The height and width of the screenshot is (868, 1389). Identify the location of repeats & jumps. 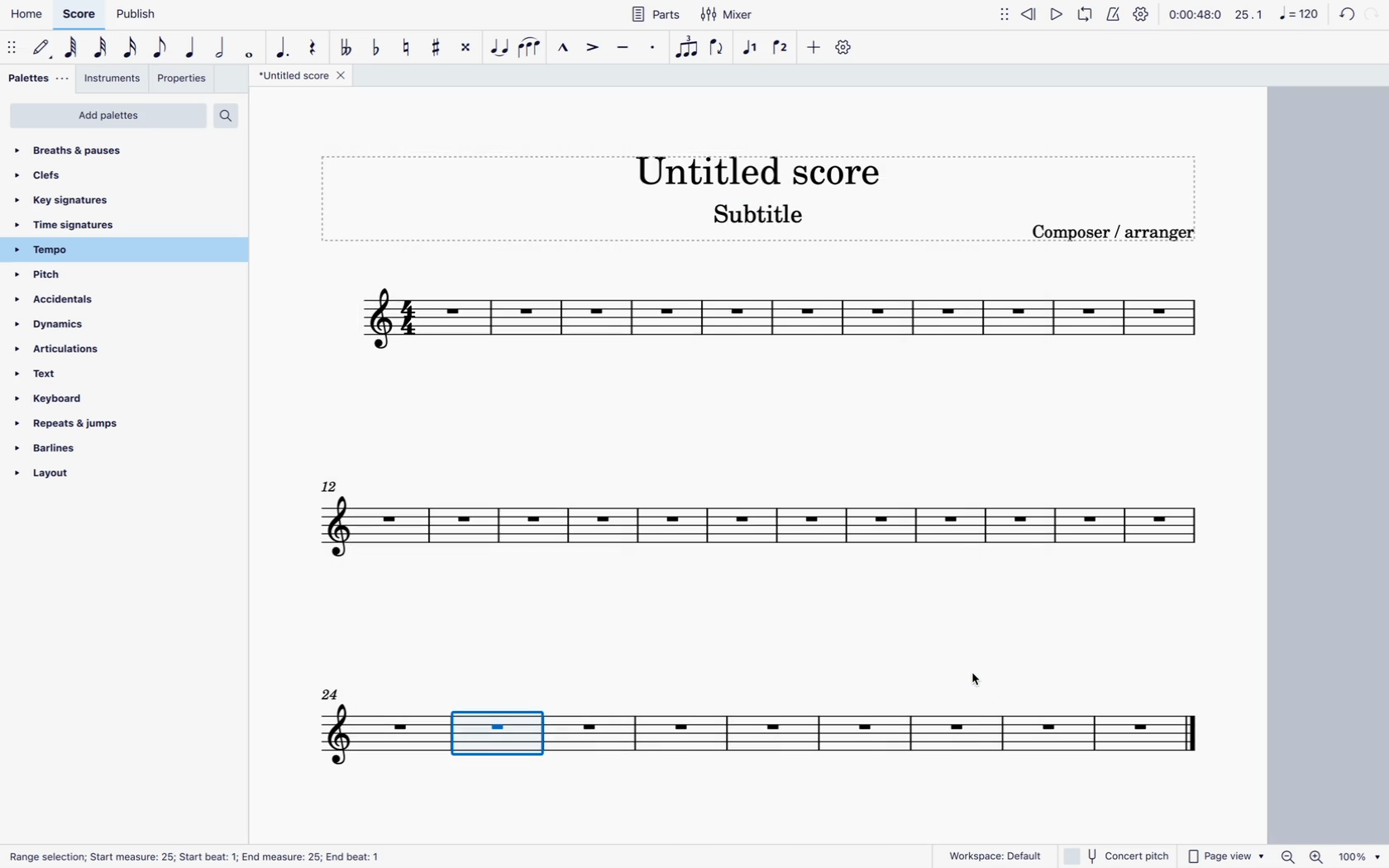
(75, 422).